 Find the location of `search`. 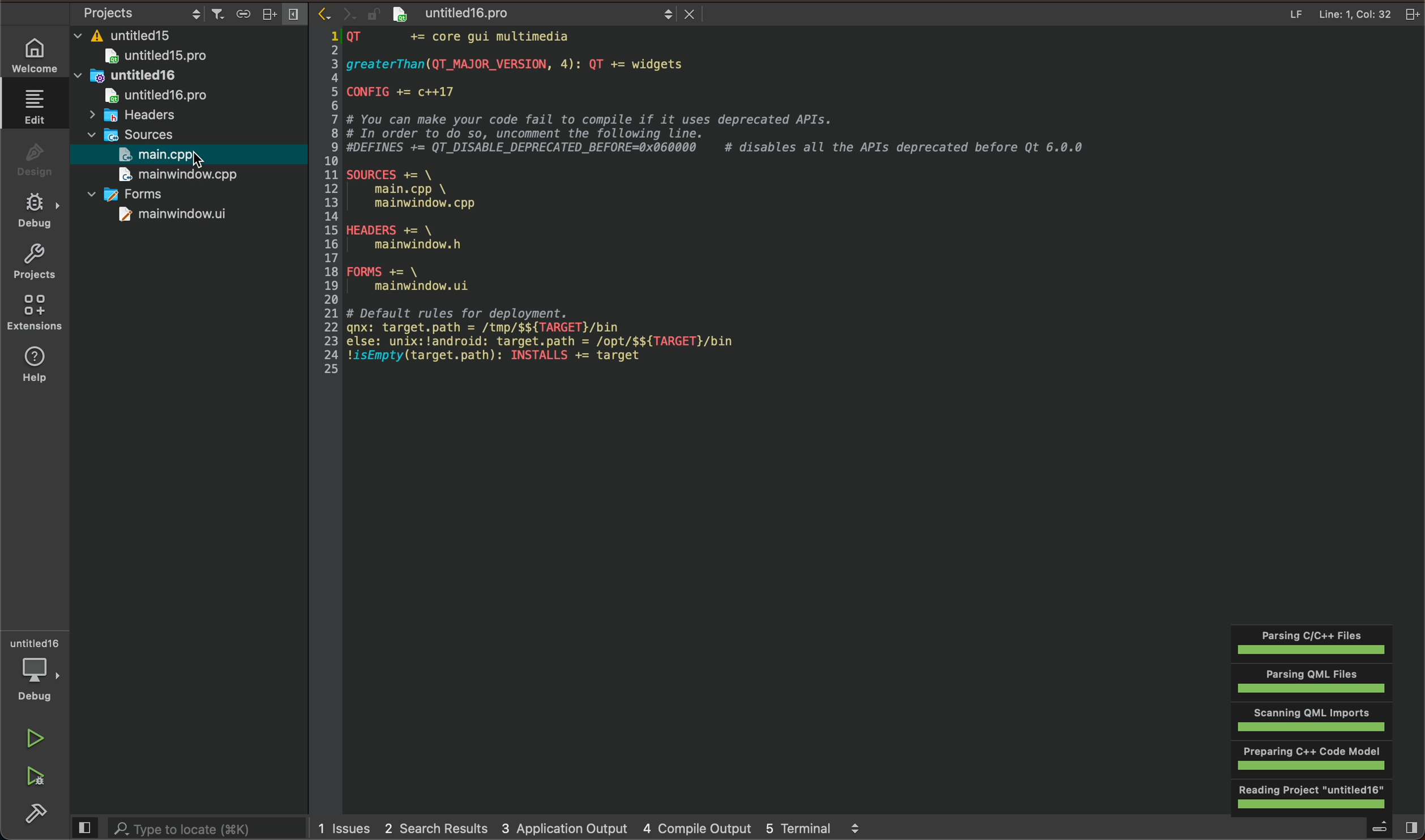

search is located at coordinates (186, 828).